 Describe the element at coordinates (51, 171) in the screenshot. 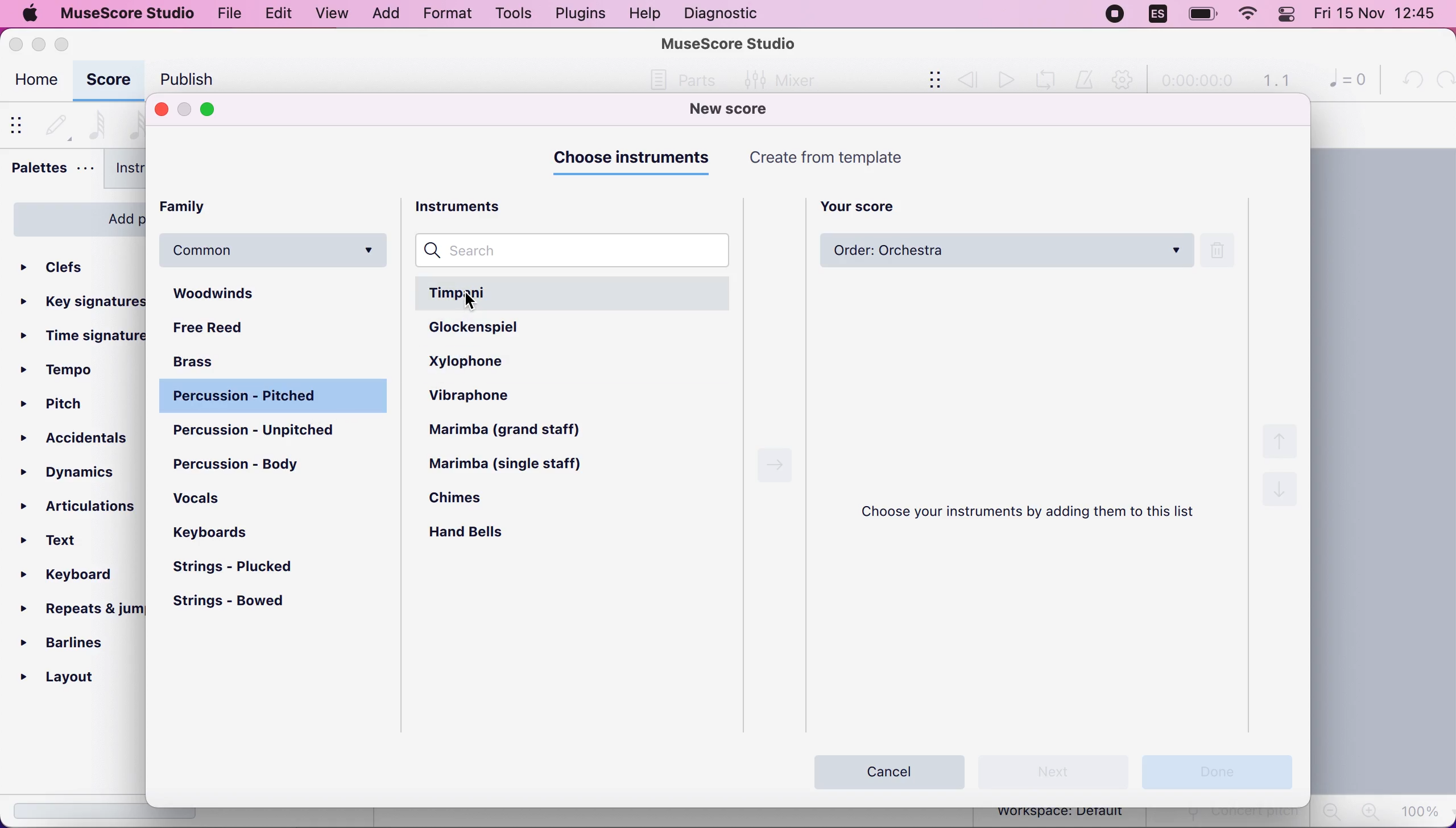

I see `palettes` at that location.